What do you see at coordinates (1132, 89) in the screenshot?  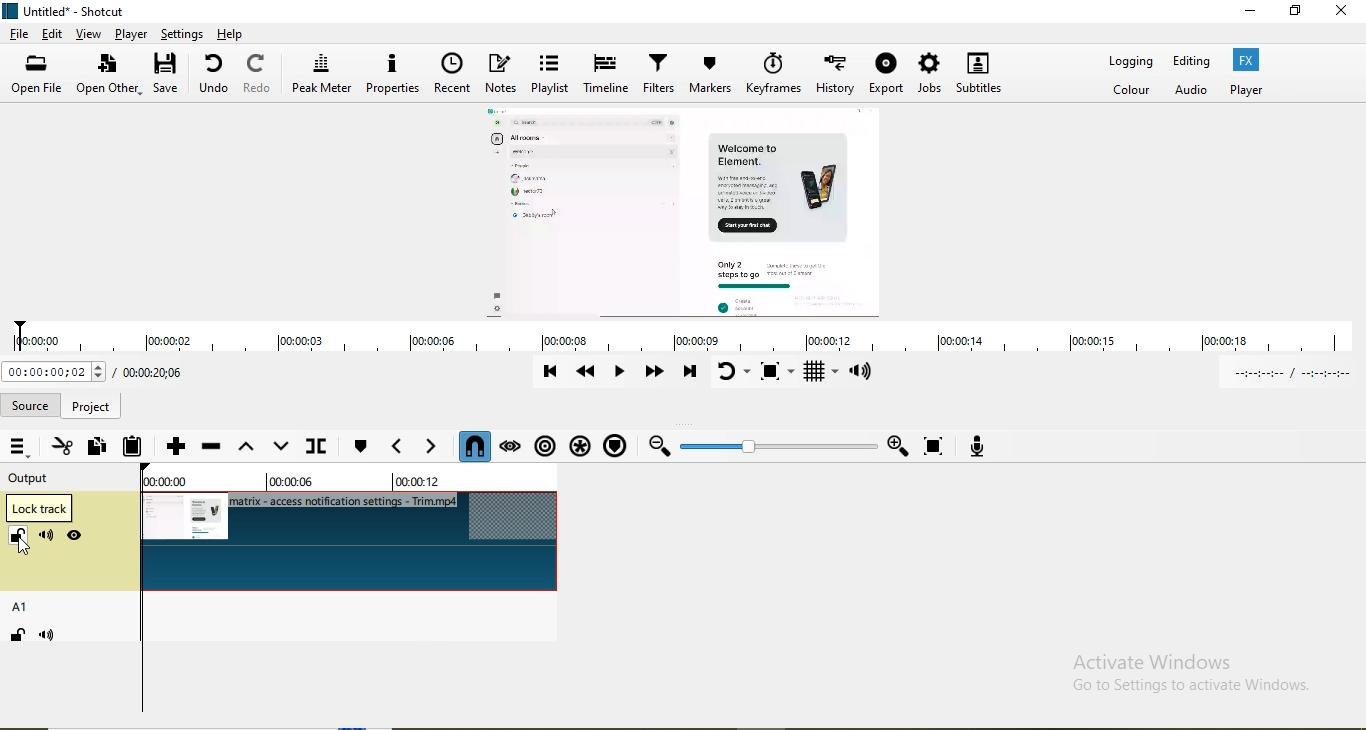 I see `Color` at bounding box center [1132, 89].